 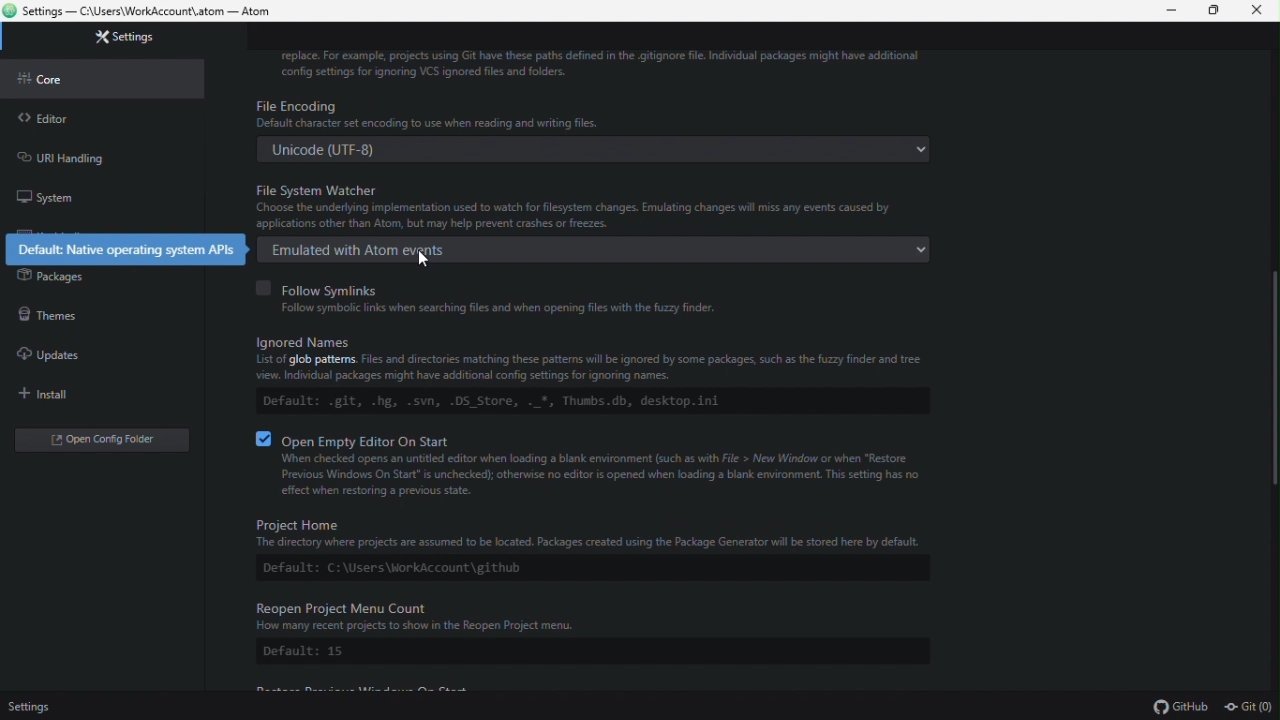 What do you see at coordinates (596, 206) in the screenshot?
I see `File System Watcher Choose the underlying implementation used to watch for file system changes. Emulating changes will miss any events caused by applications other than Atom, but may help prevent crashes or freezes.` at bounding box center [596, 206].